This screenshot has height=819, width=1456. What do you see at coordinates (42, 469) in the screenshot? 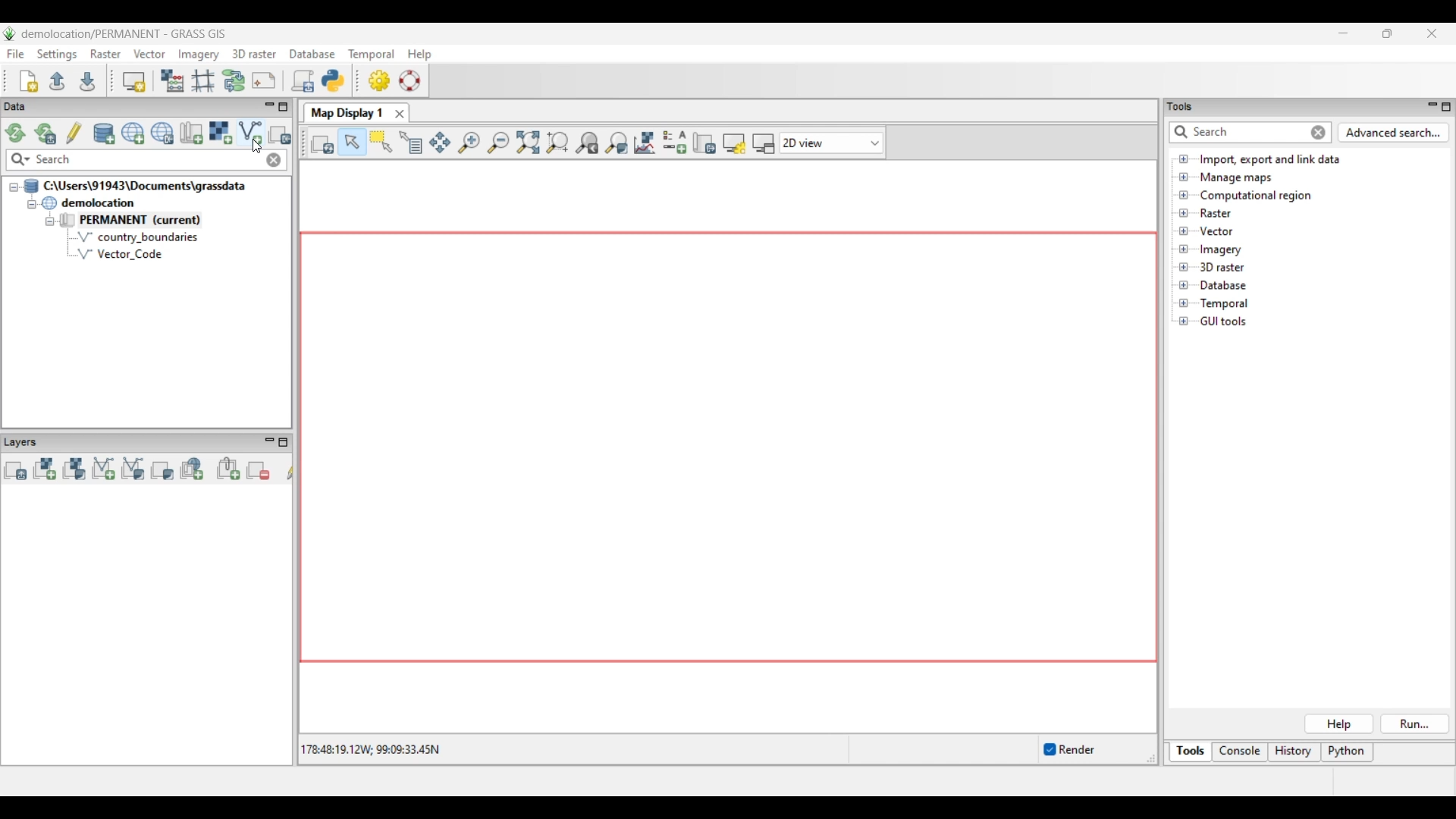
I see `Add raster map layer` at bounding box center [42, 469].